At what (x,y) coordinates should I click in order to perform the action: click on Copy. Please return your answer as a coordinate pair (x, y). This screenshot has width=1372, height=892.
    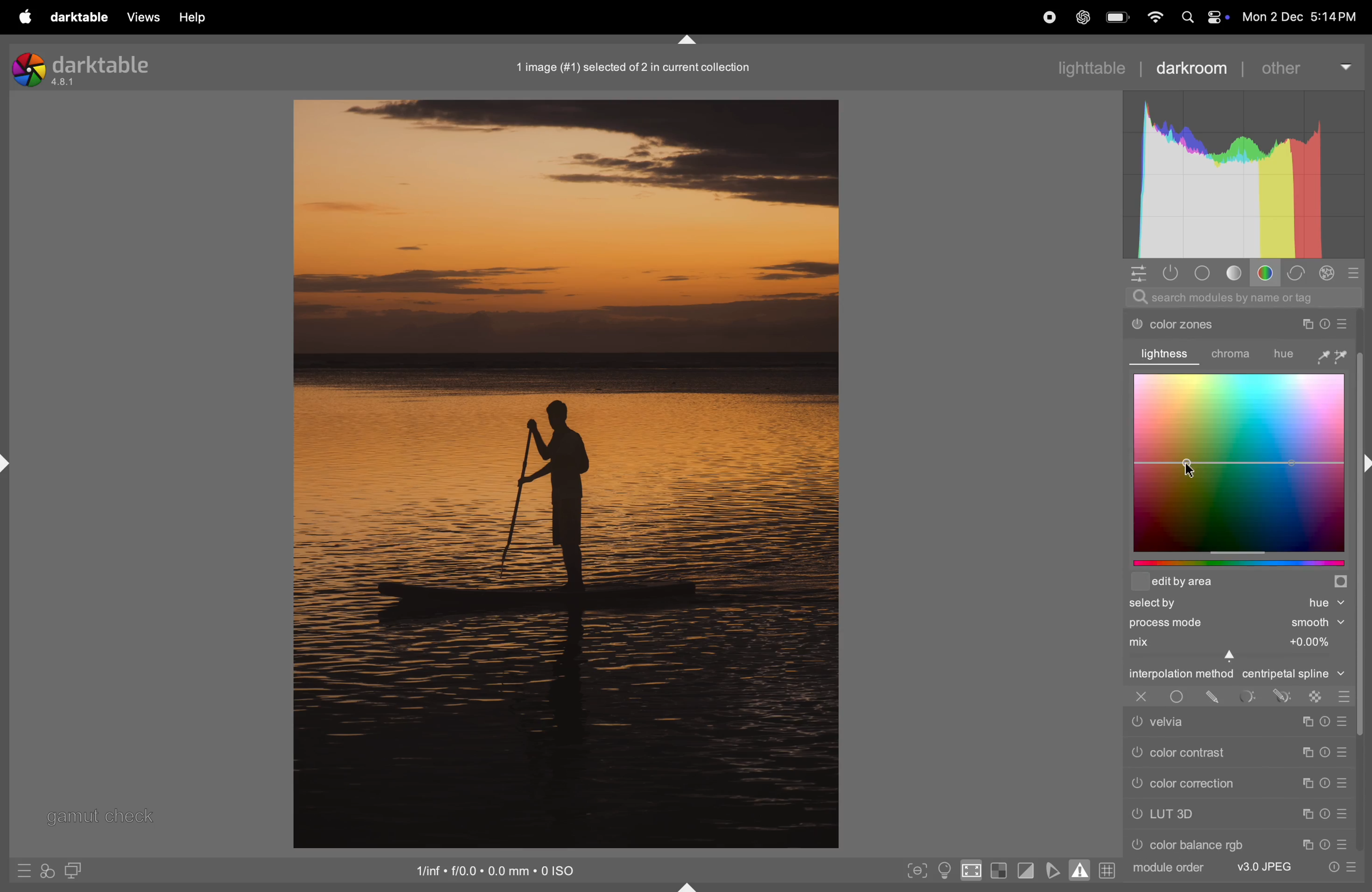
    Looking at the image, I should click on (1306, 752).